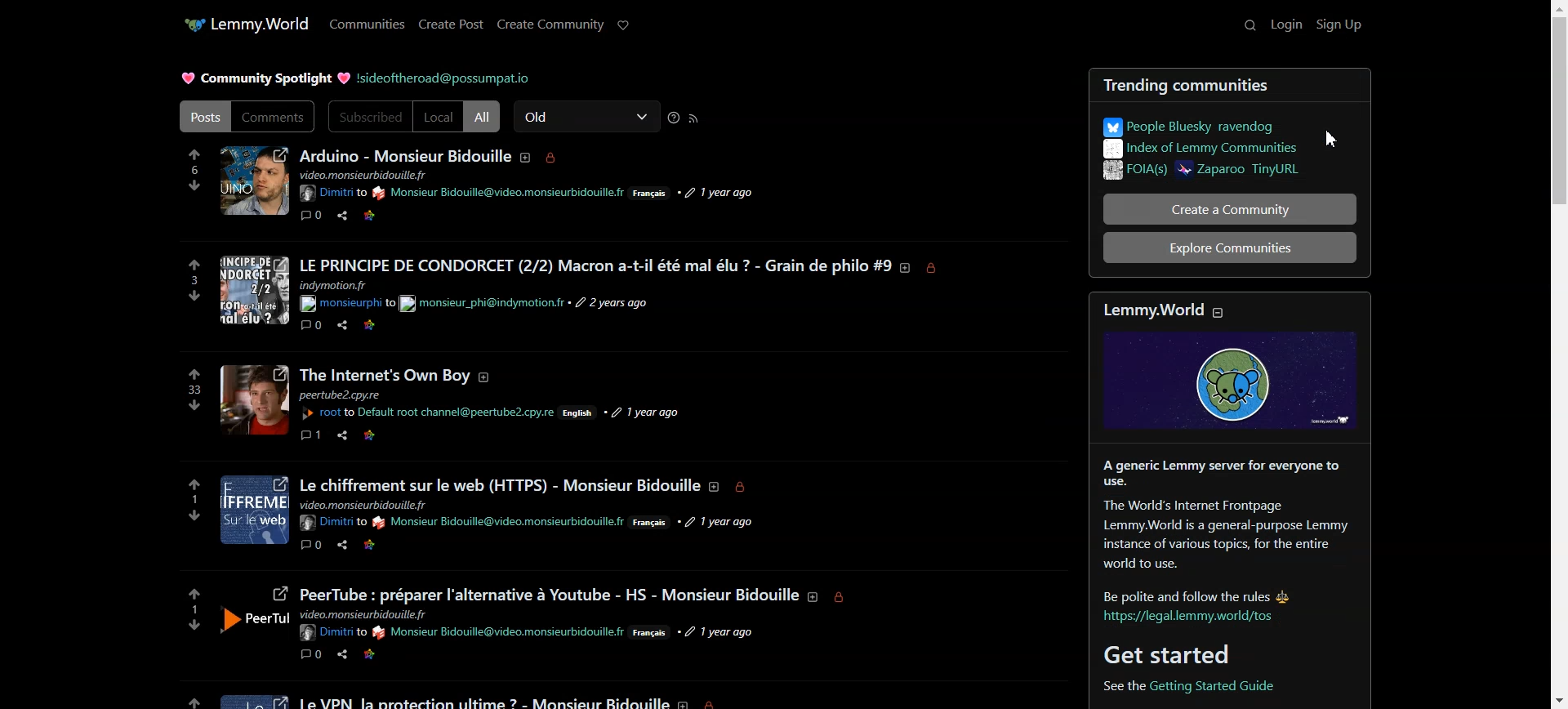 The image size is (1568, 709). Describe the element at coordinates (367, 23) in the screenshot. I see `Communities` at that location.